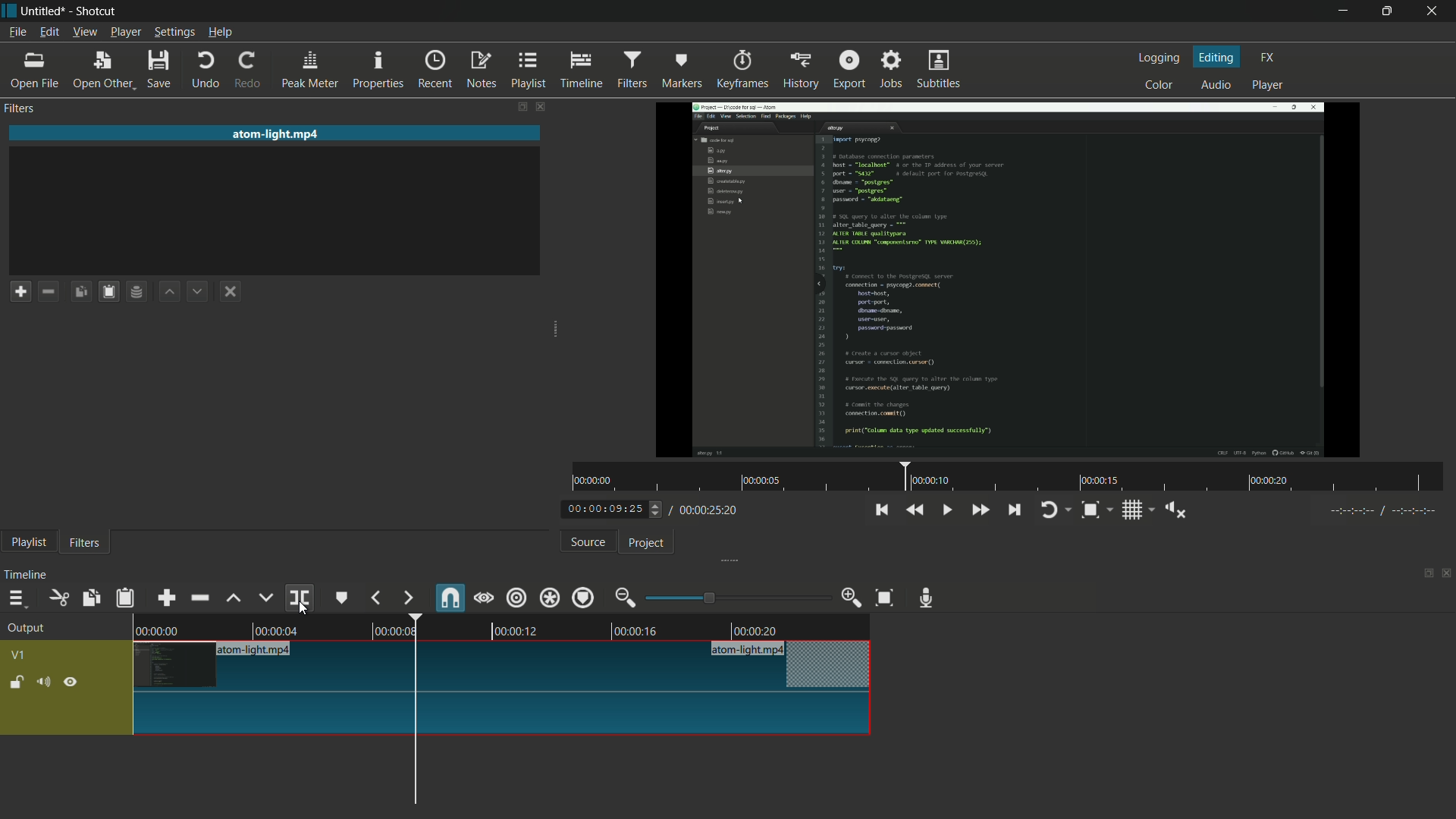 Image resolution: width=1456 pixels, height=819 pixels. I want to click on append, so click(169, 597).